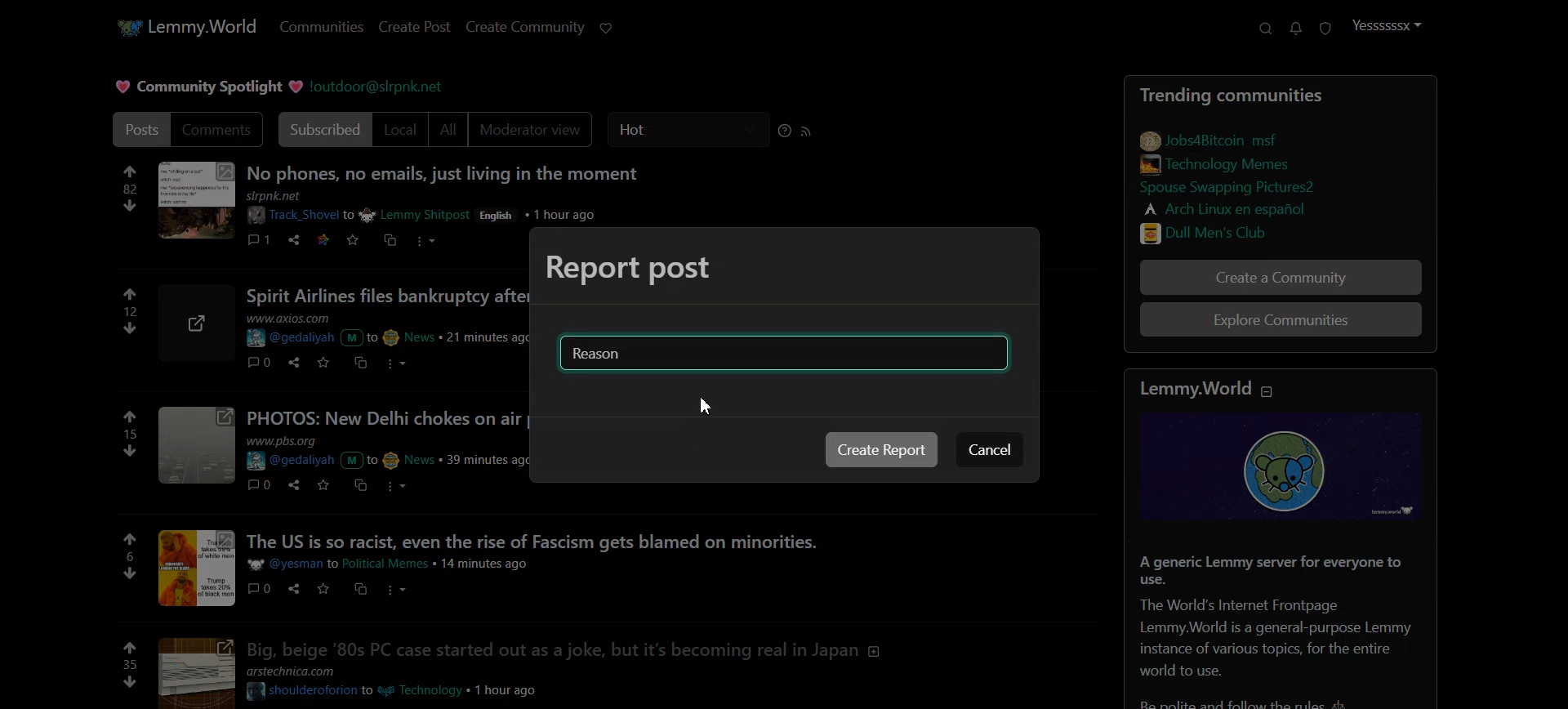  I want to click on upvote, so click(131, 417).